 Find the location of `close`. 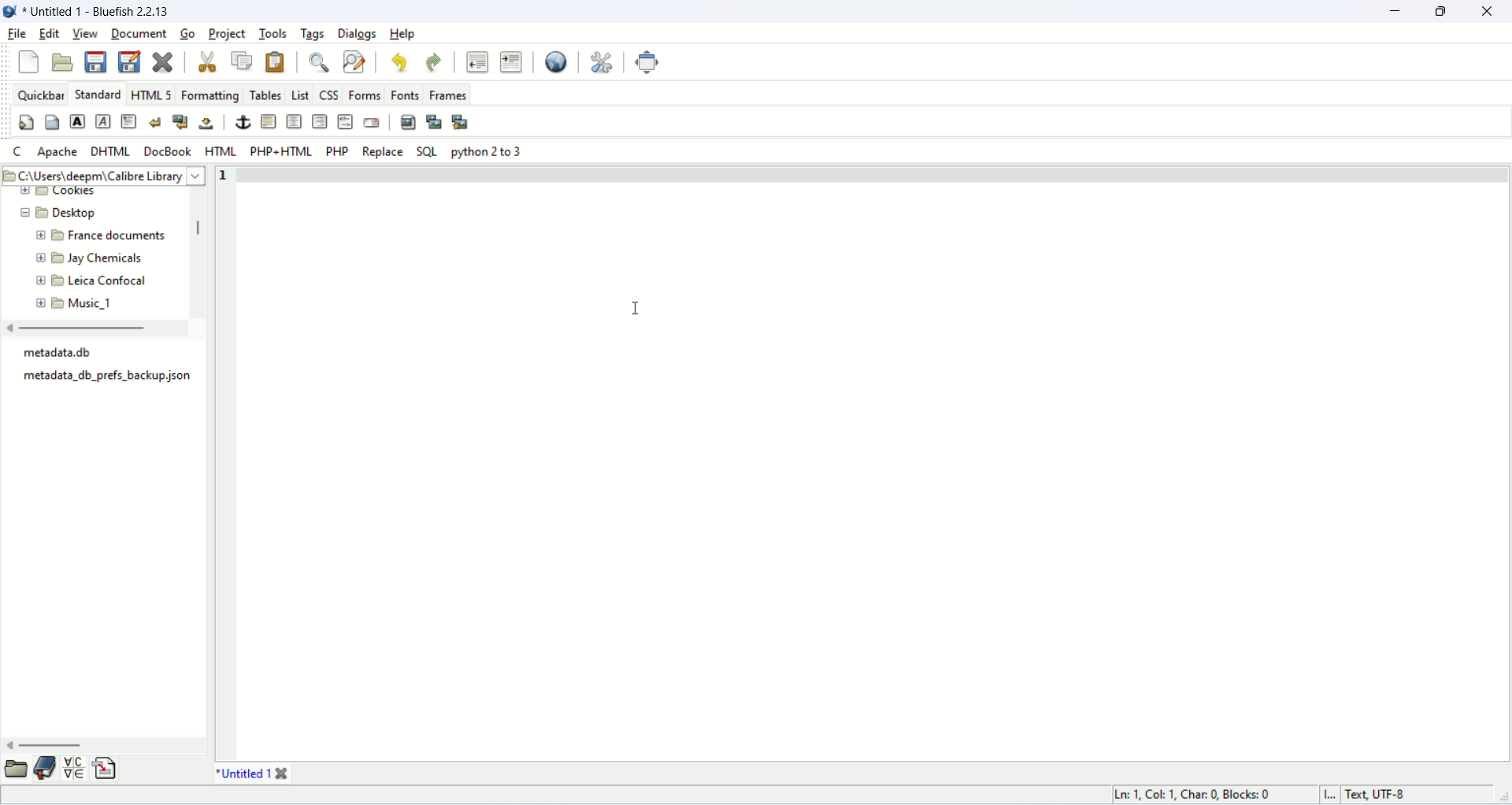

close is located at coordinates (283, 774).